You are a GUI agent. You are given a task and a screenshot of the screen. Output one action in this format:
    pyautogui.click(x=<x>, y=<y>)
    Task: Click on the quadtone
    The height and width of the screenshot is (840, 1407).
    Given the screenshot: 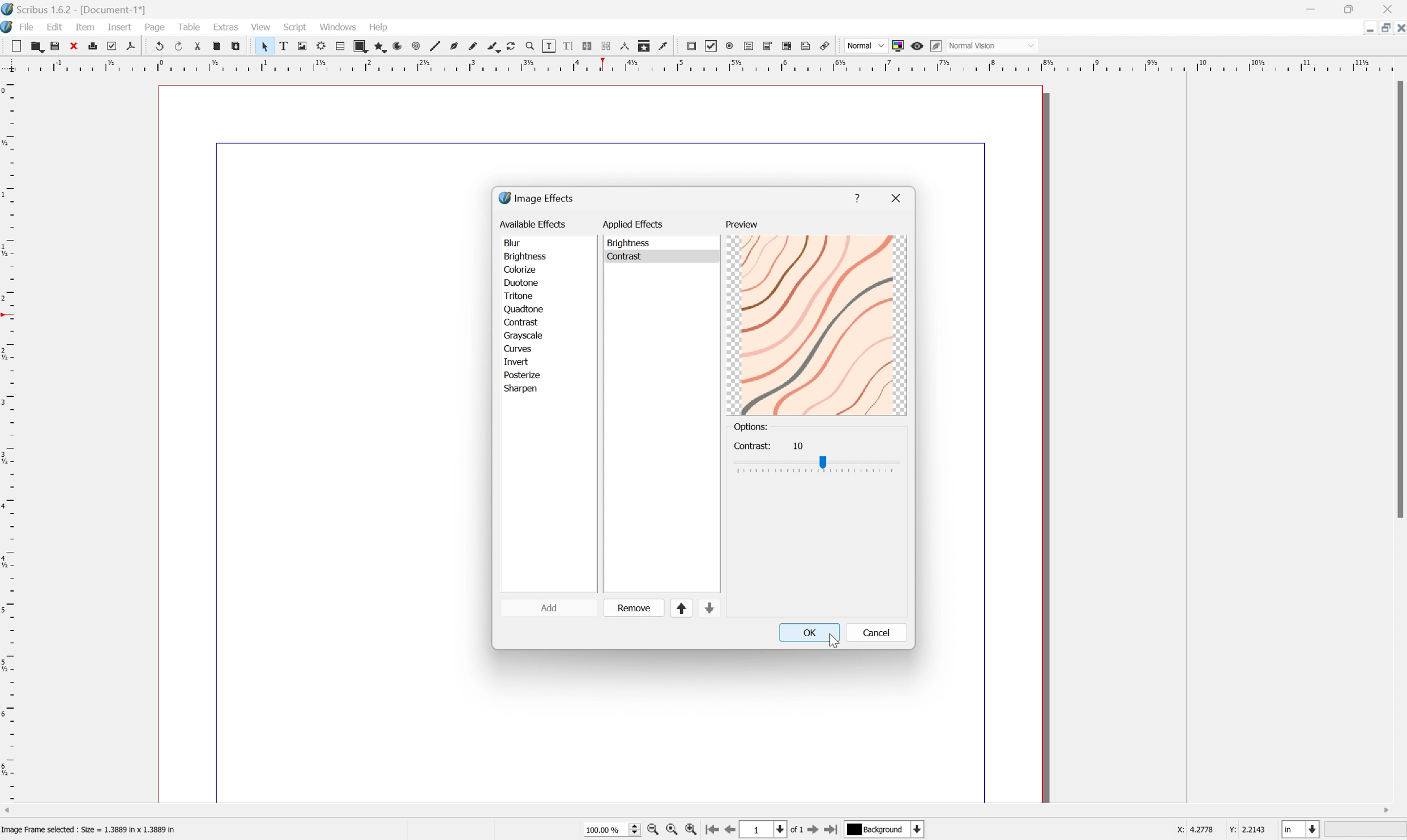 What is the action you would take?
    pyautogui.click(x=523, y=307)
    